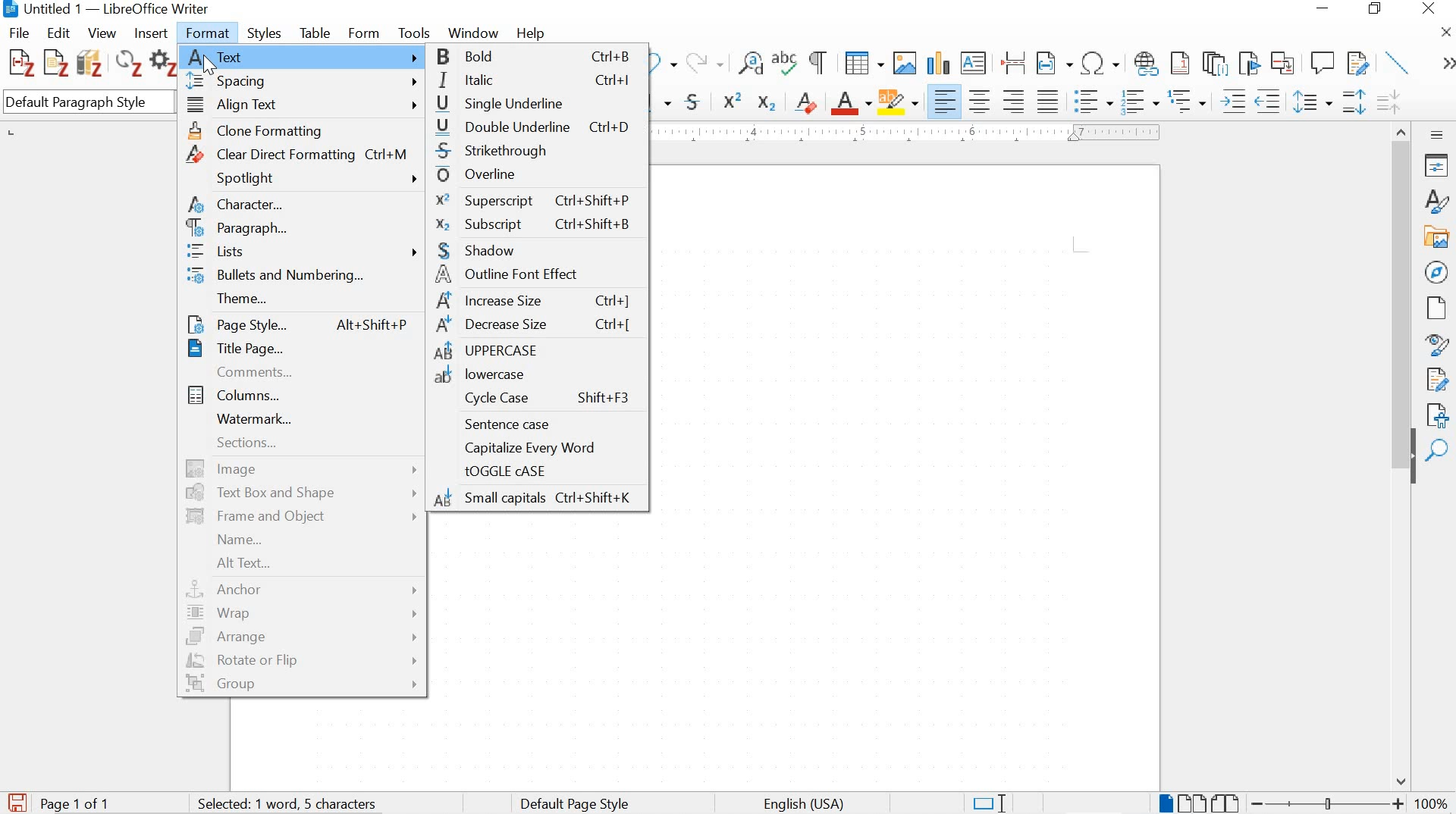  Describe the element at coordinates (1355, 61) in the screenshot. I see `track changes function` at that location.